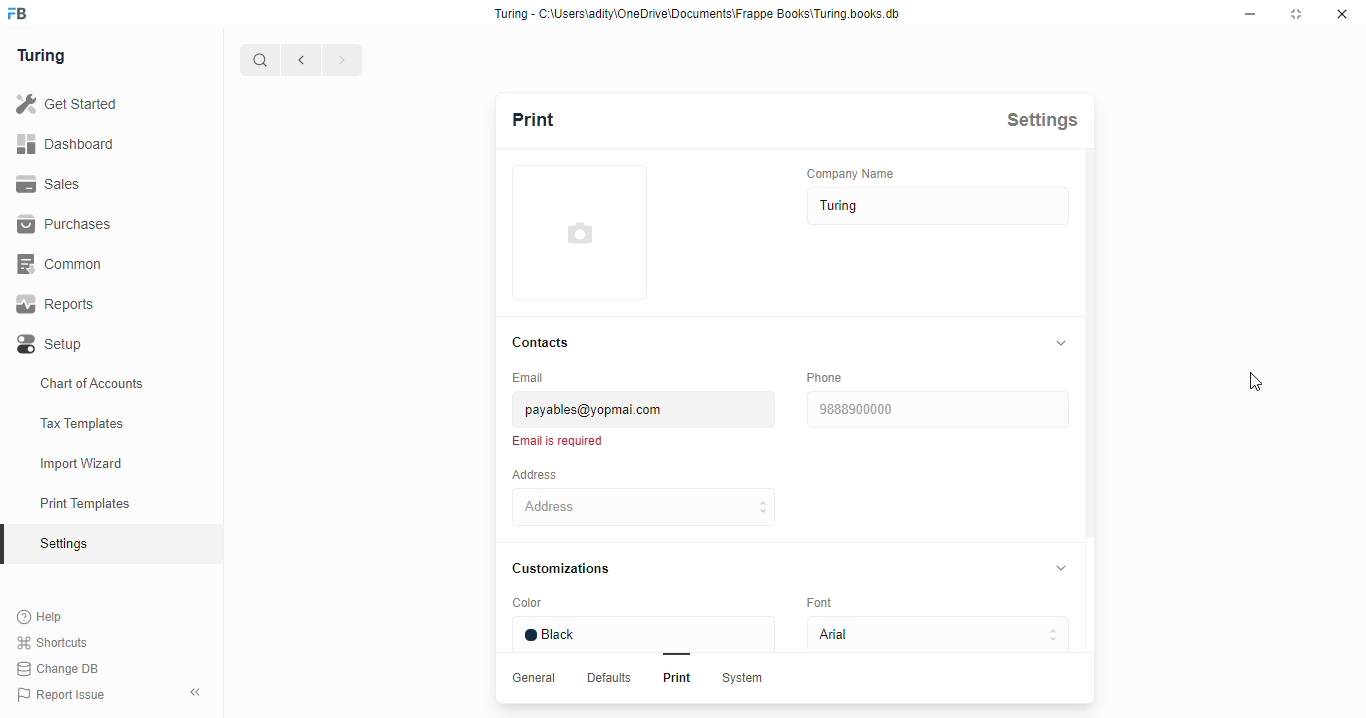 The image size is (1366, 718). I want to click on General, so click(537, 678).